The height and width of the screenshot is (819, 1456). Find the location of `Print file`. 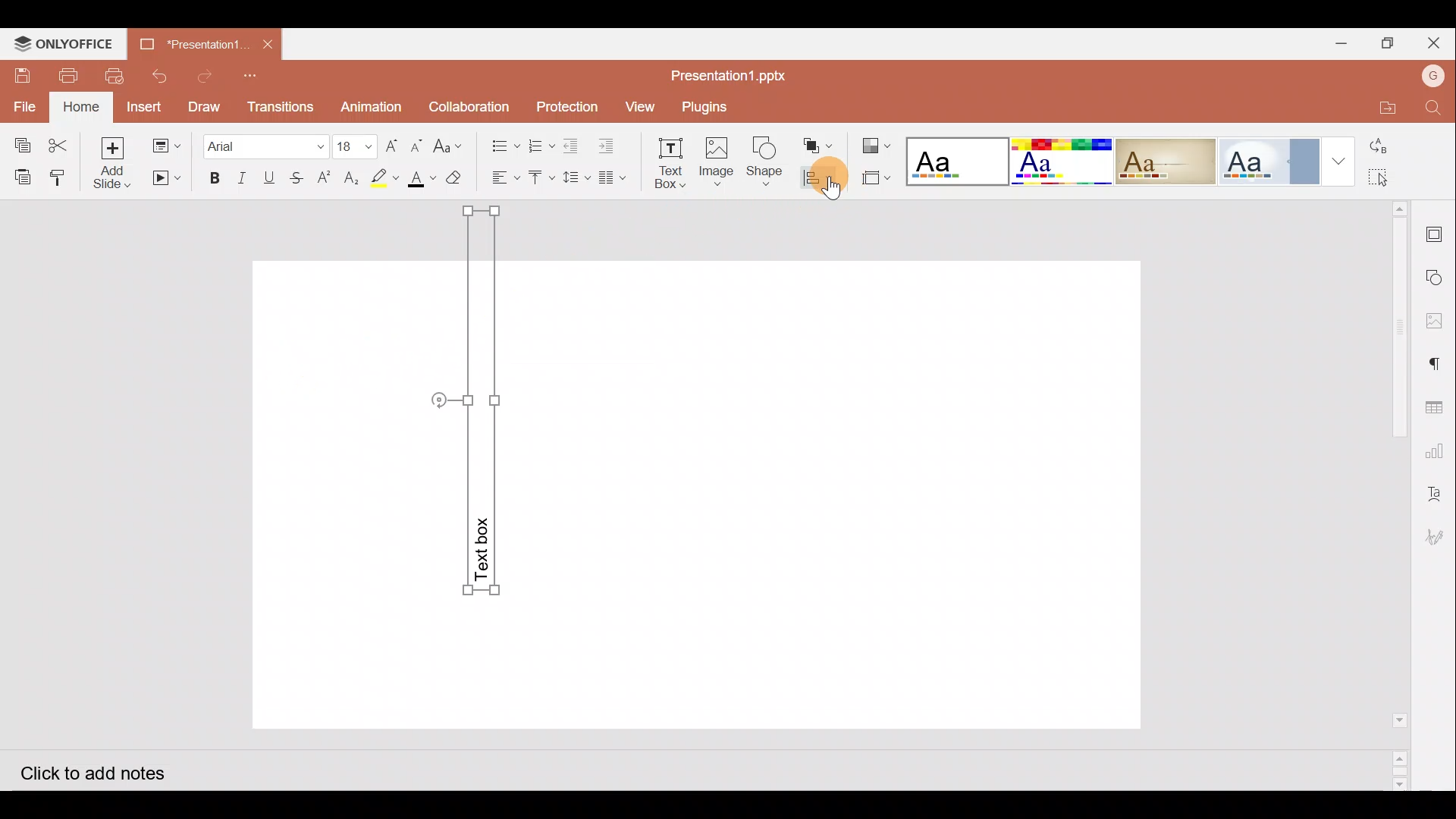

Print file is located at coordinates (64, 73).